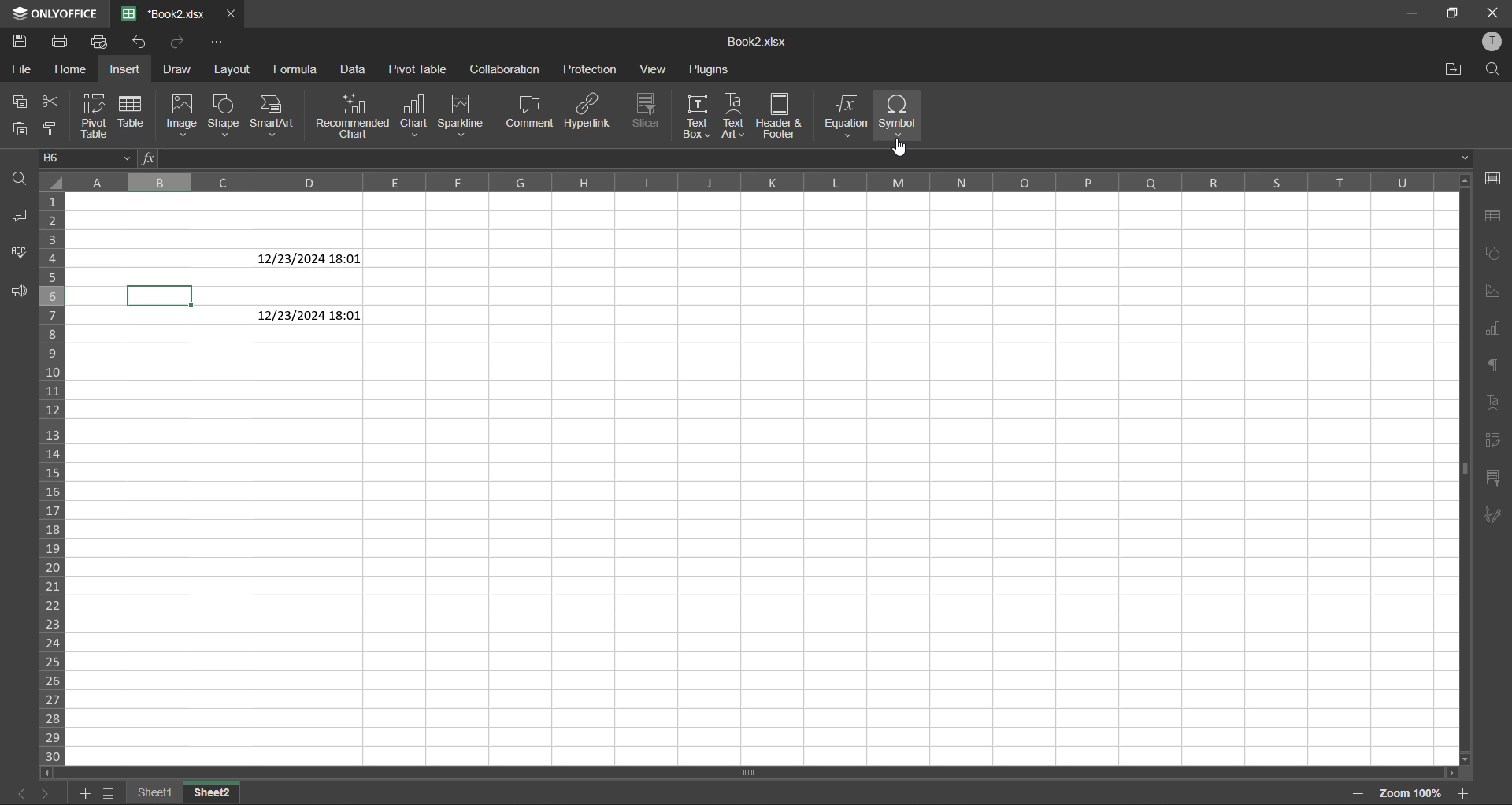  Describe the element at coordinates (22, 129) in the screenshot. I see `paste` at that location.